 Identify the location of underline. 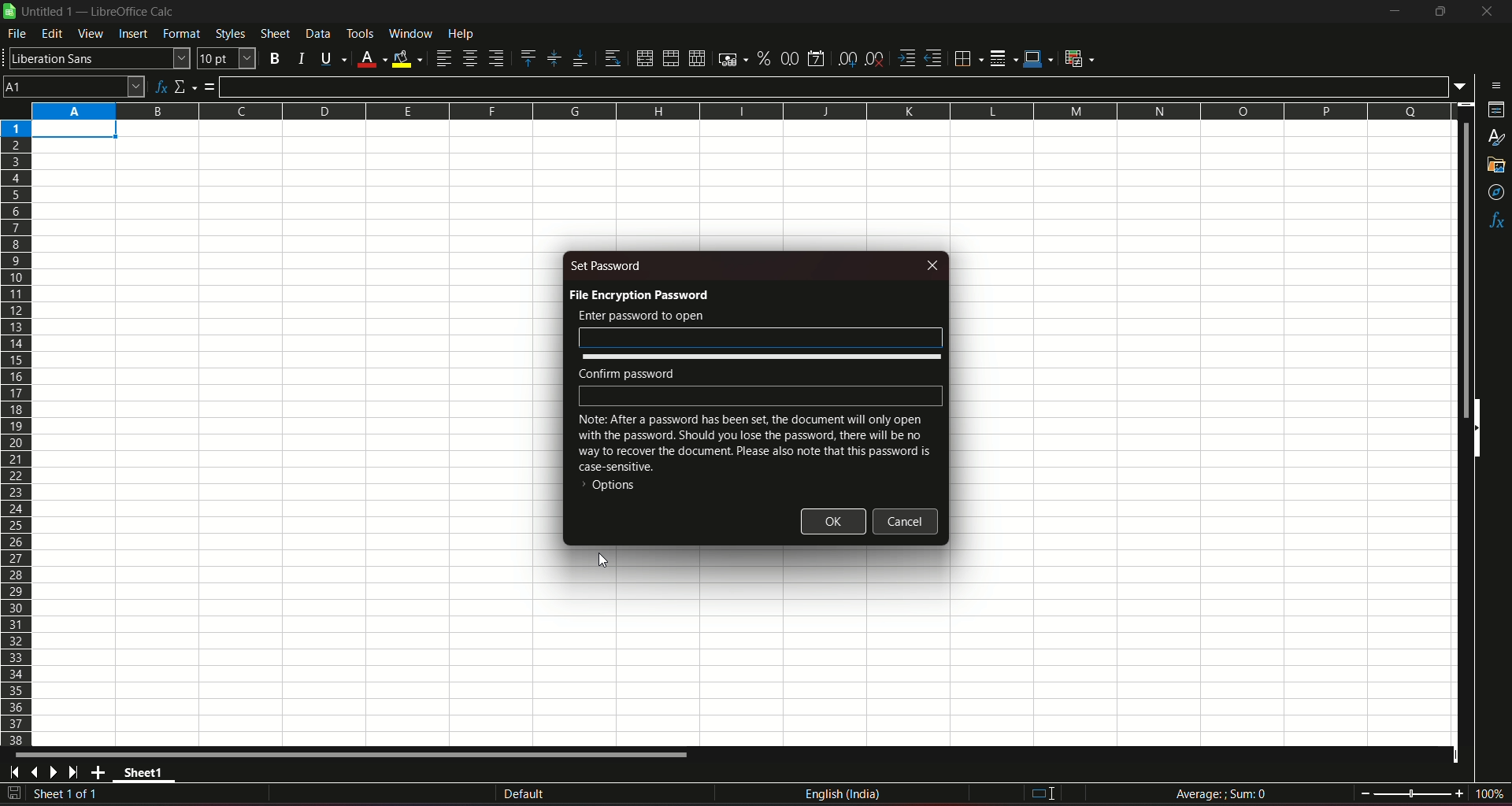
(330, 57).